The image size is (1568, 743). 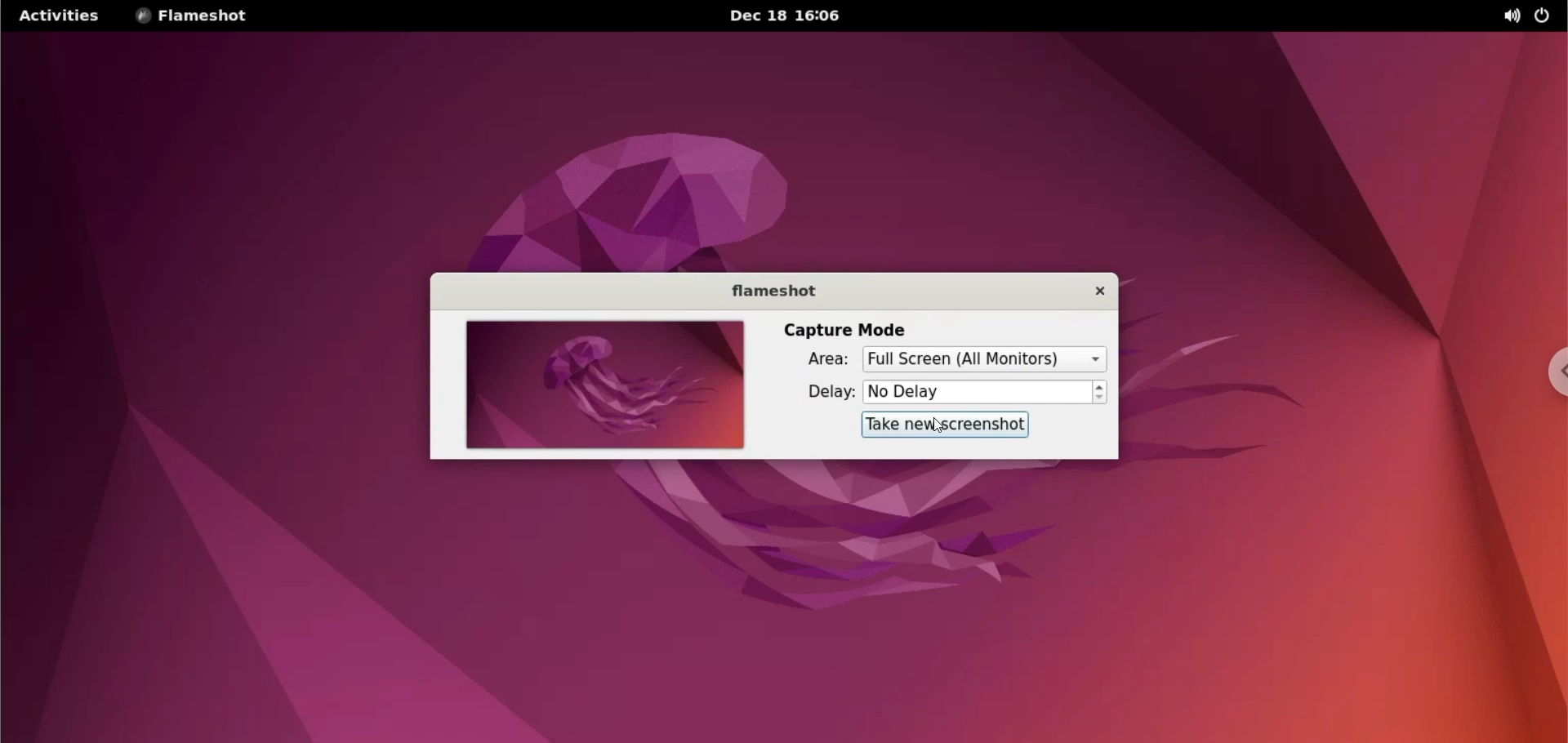 What do you see at coordinates (775, 291) in the screenshot?
I see `application name label` at bounding box center [775, 291].